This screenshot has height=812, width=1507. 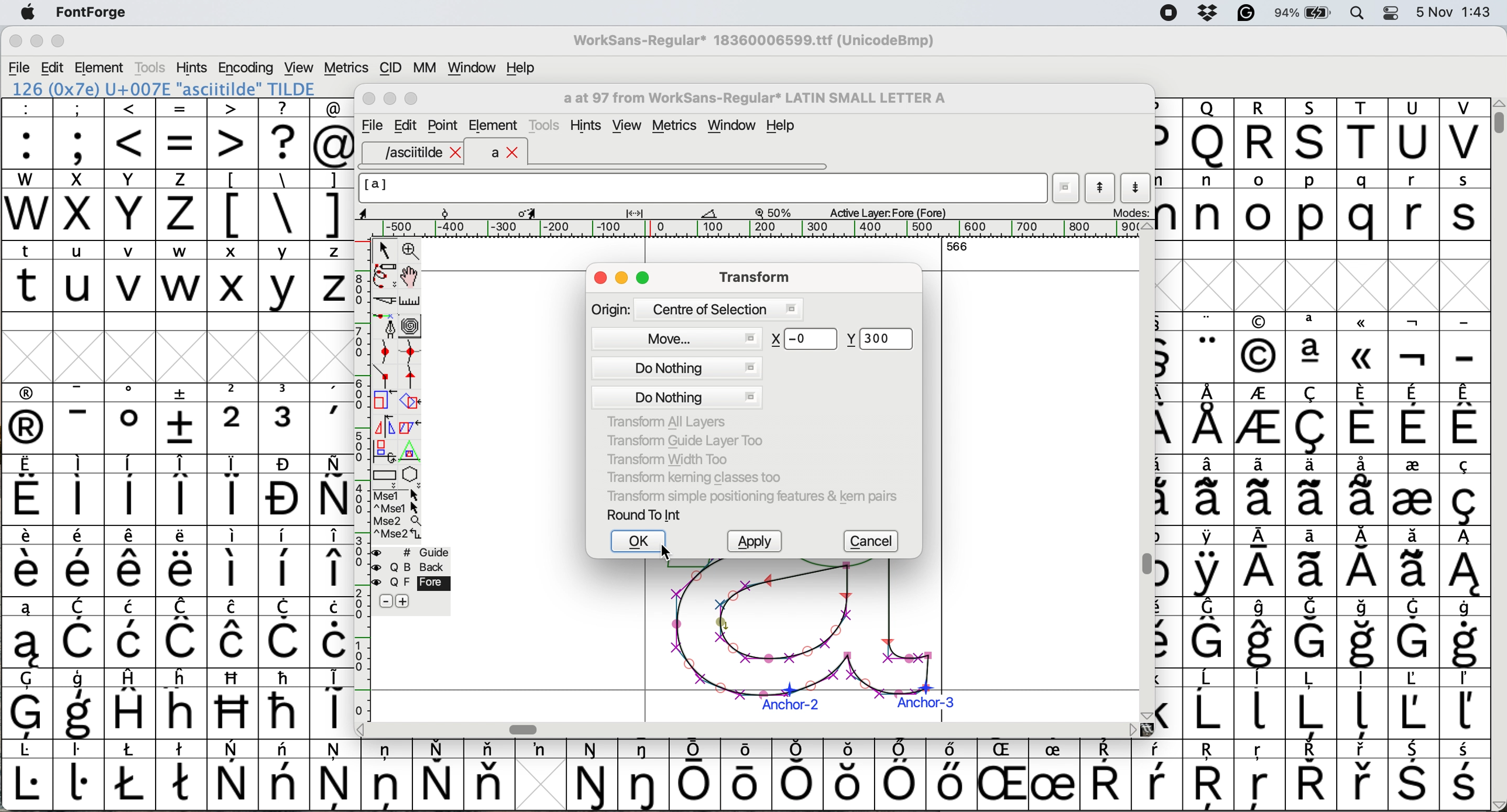 I want to click on symbol, so click(x=1310, y=703).